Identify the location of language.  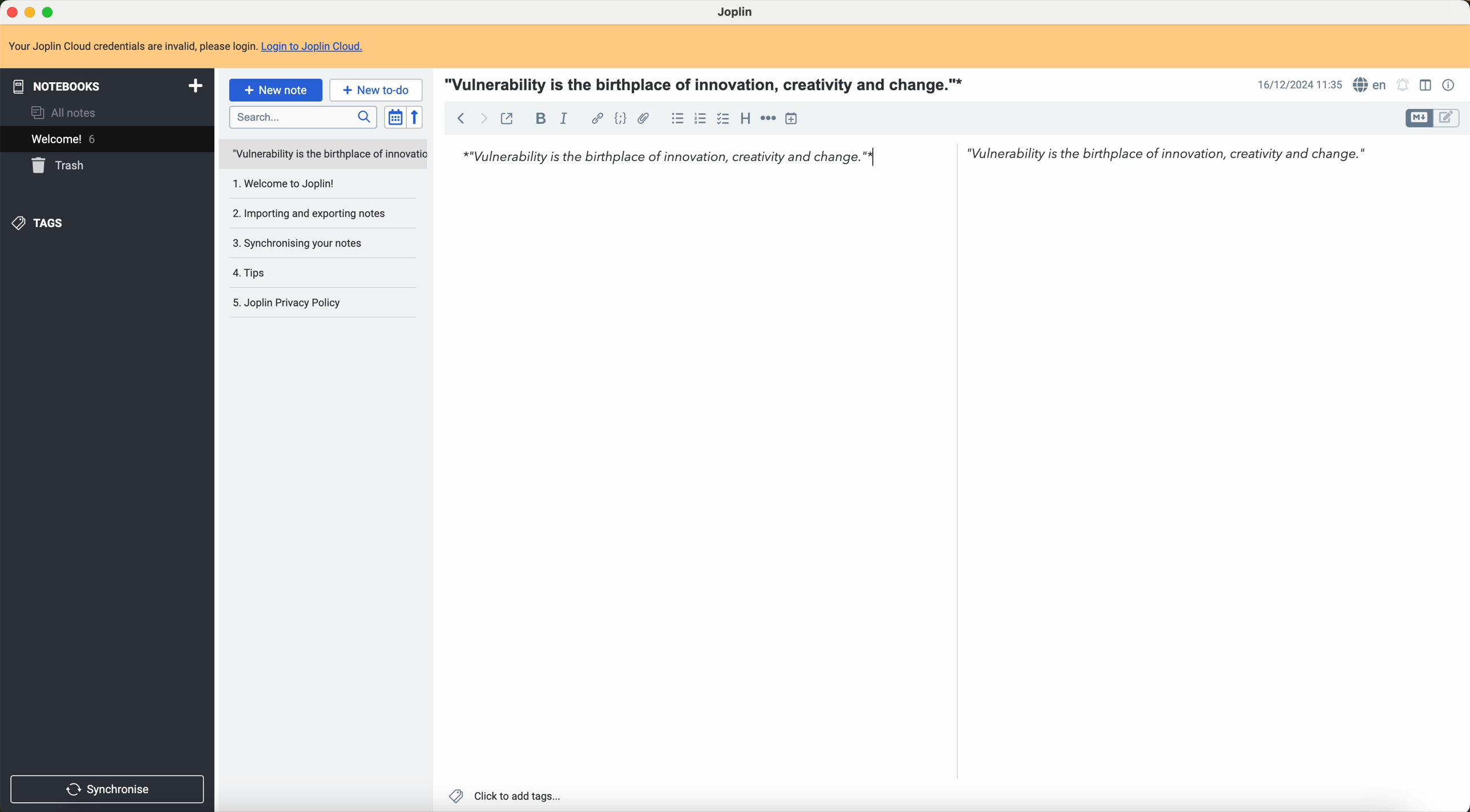
(1370, 84).